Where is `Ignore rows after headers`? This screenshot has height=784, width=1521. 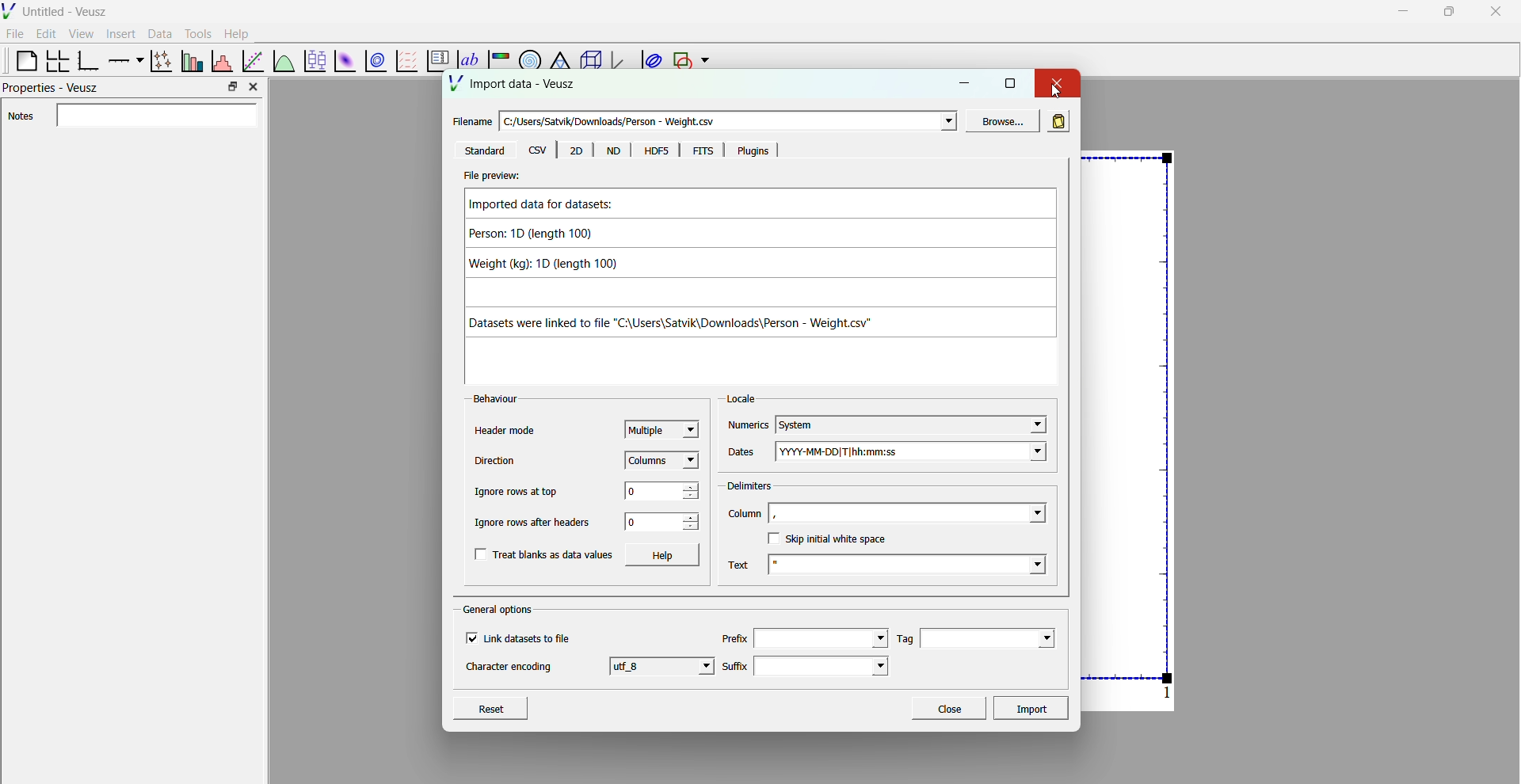
Ignore rows after headers is located at coordinates (537, 521).